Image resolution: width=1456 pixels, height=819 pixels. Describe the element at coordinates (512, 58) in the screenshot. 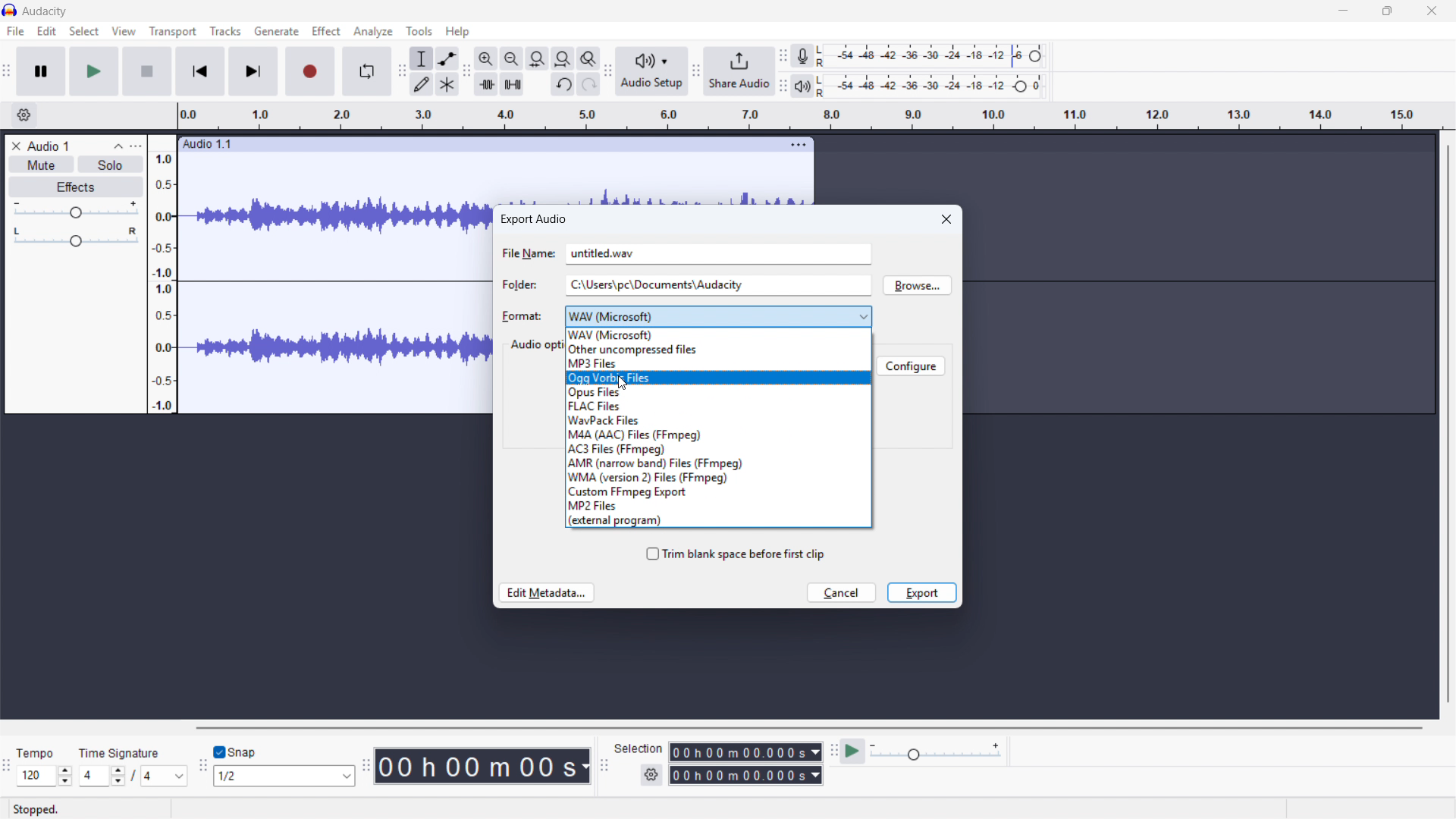

I see `Zoom out ` at that location.